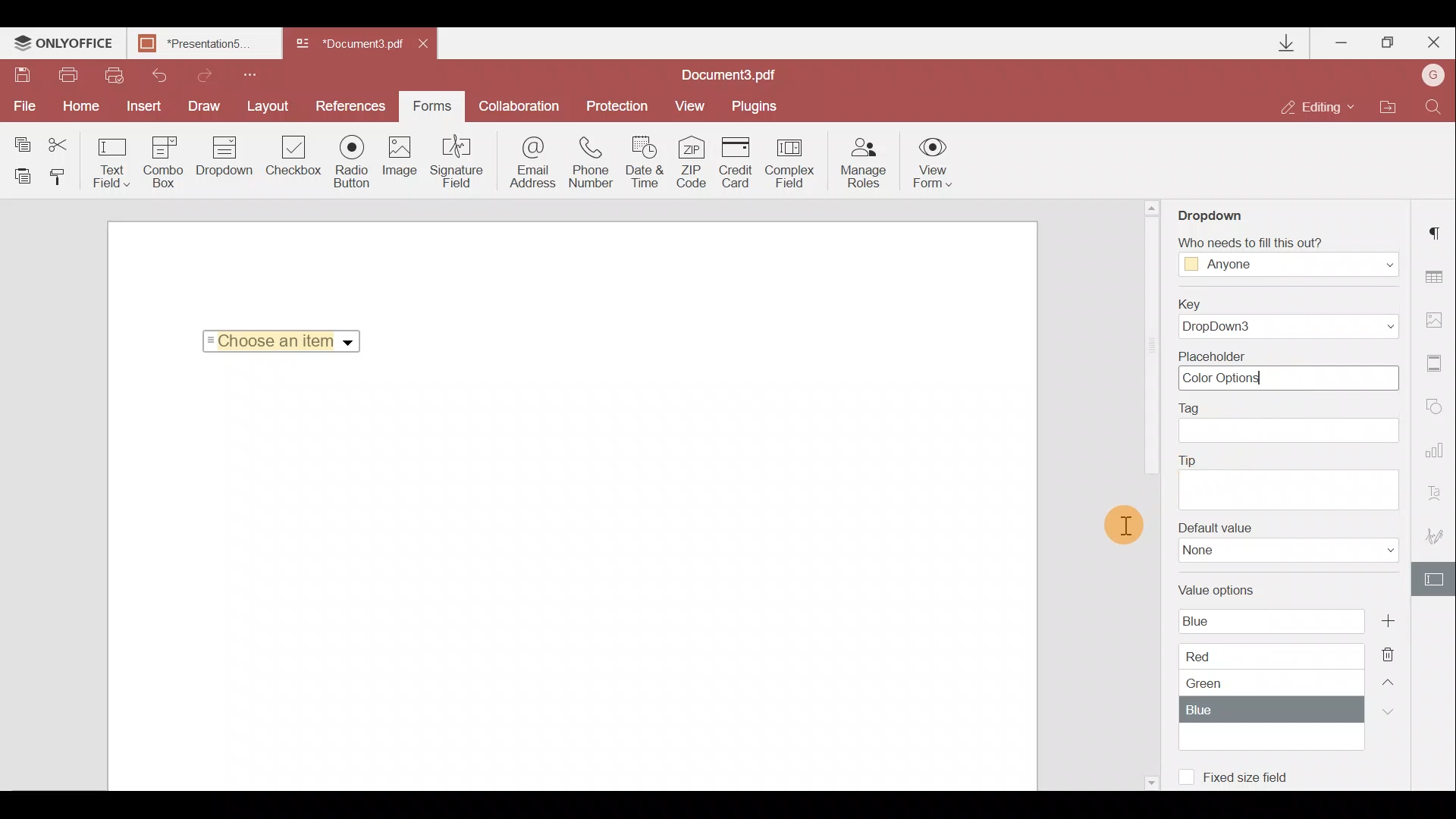 The height and width of the screenshot is (819, 1456). Describe the element at coordinates (1439, 364) in the screenshot. I see `Headers & footers settings` at that location.